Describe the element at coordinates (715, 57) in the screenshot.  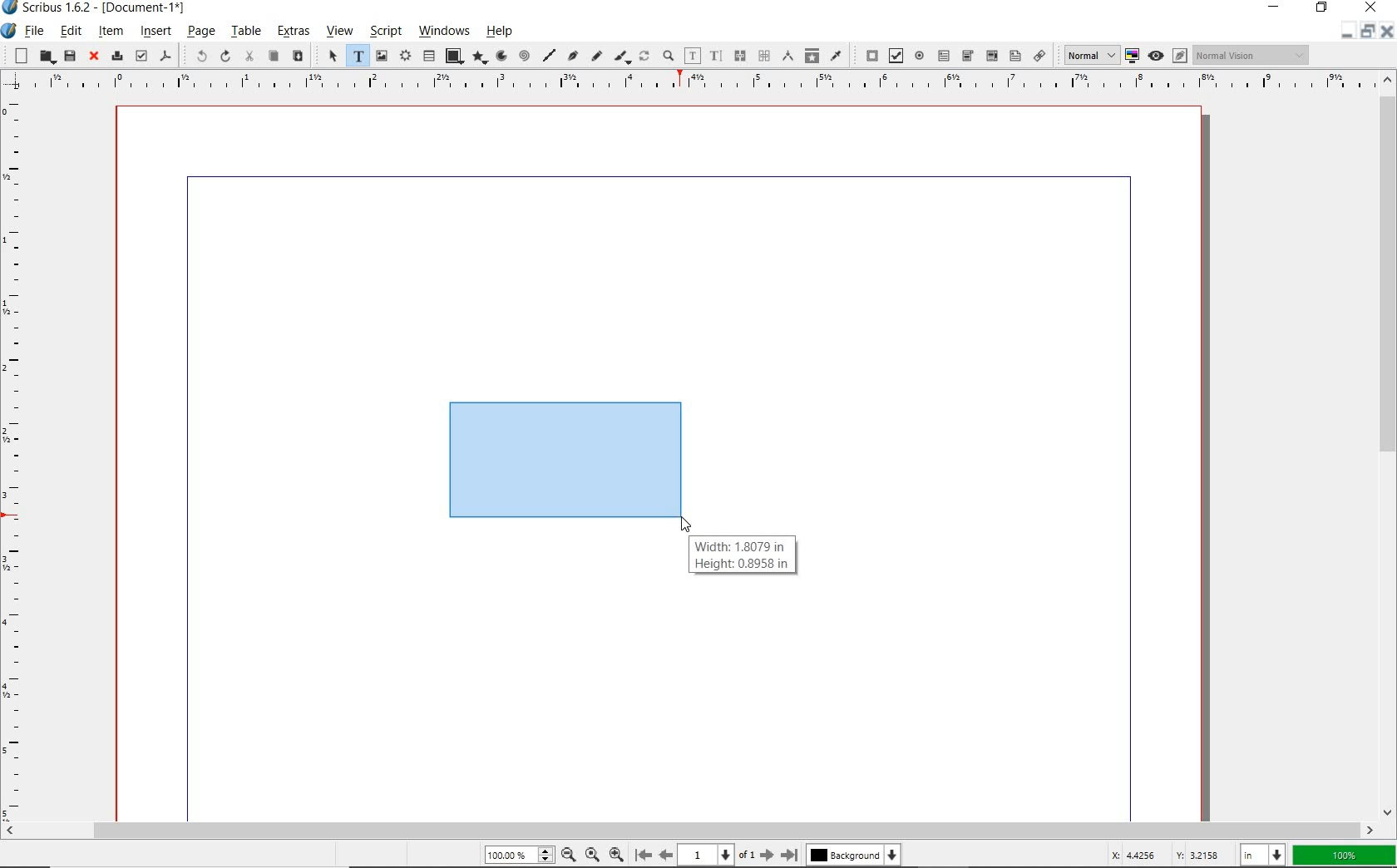
I see `edit text with story editor` at that location.